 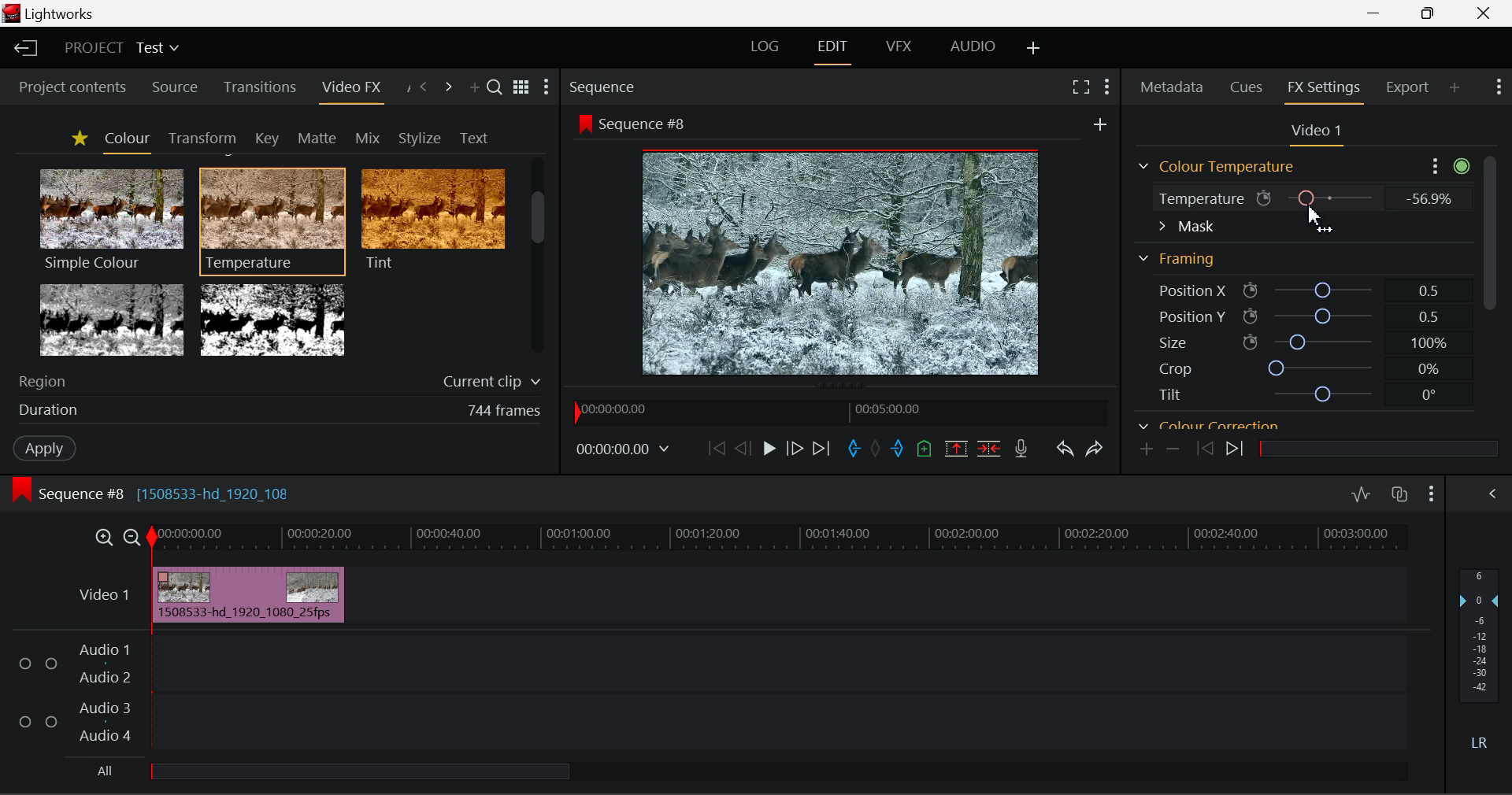 I want to click on Show Settings, so click(x=547, y=87).